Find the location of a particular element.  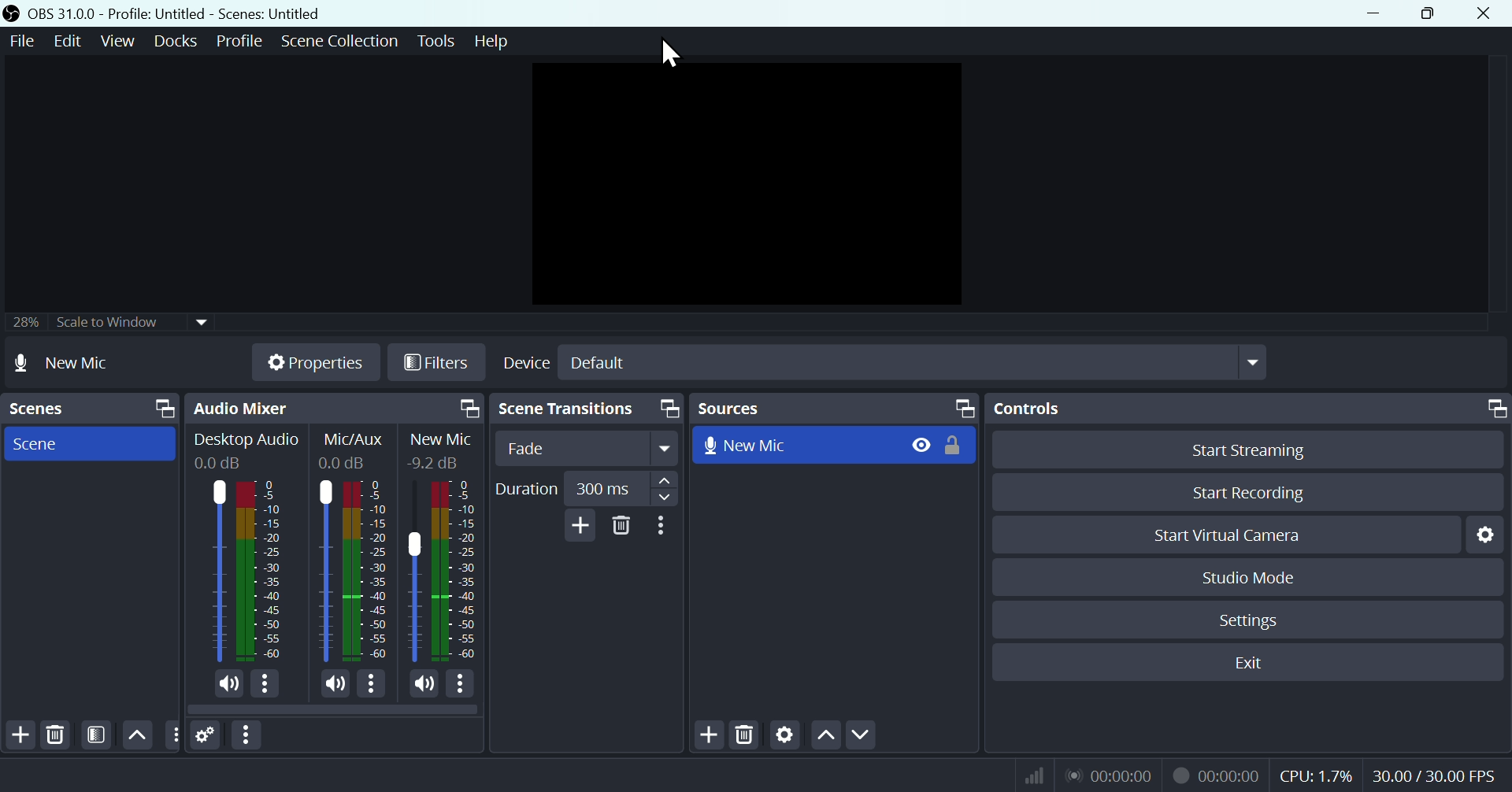

Restore is located at coordinates (1432, 13).